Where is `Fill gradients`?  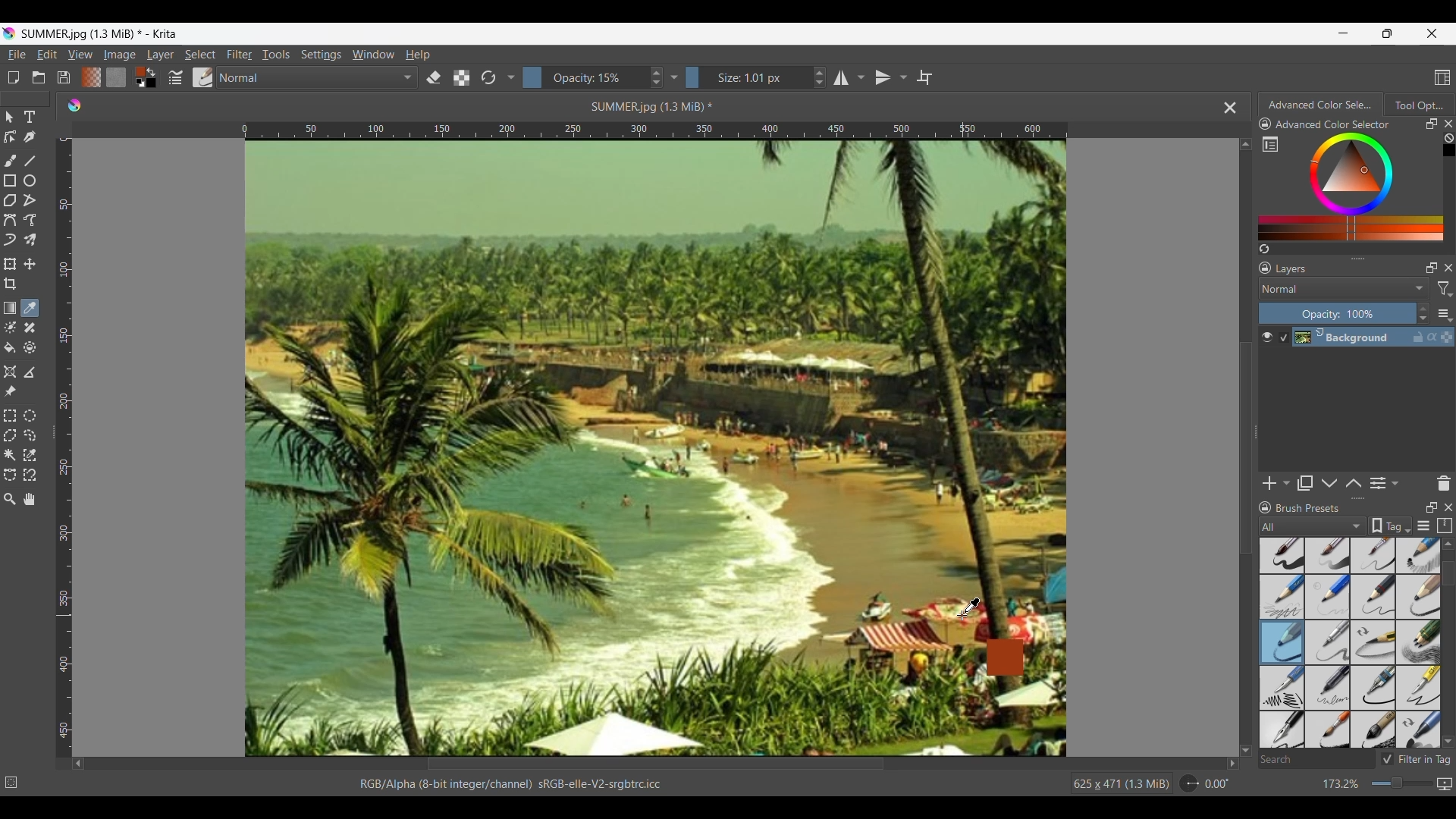
Fill gradients is located at coordinates (91, 77).